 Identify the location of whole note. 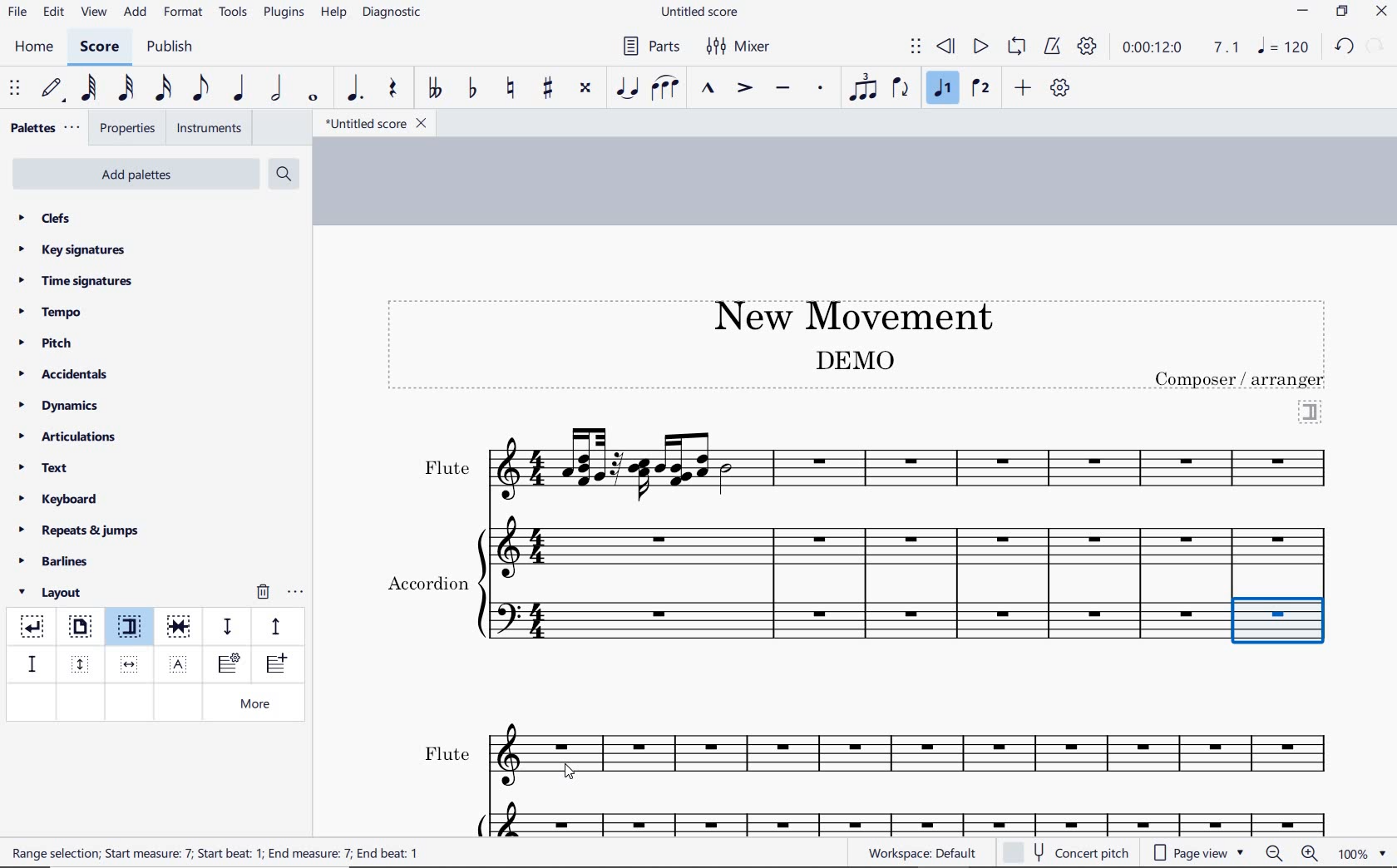
(314, 97).